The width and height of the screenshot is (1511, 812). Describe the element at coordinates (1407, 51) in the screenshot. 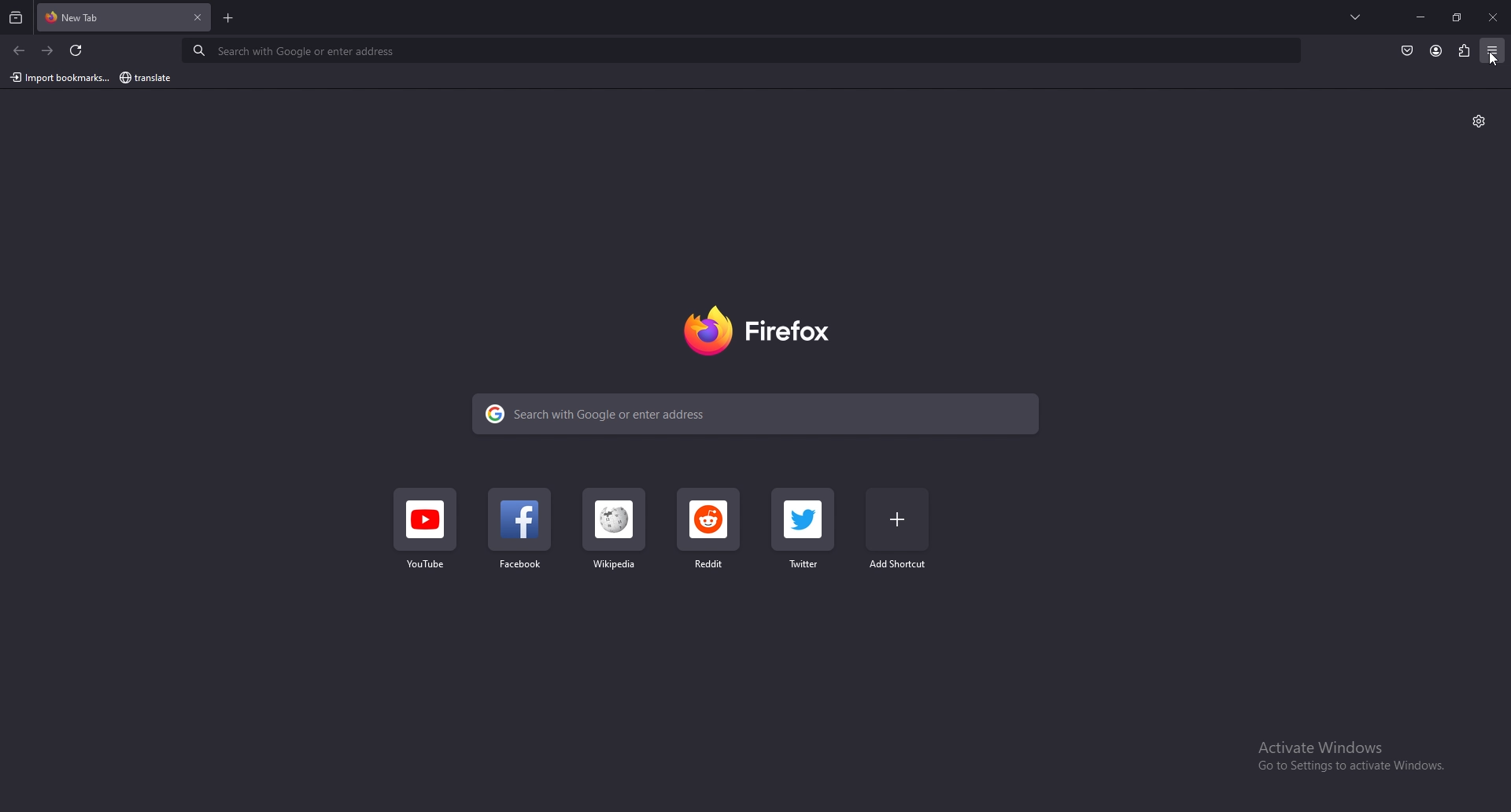

I see `save to pocket` at that location.